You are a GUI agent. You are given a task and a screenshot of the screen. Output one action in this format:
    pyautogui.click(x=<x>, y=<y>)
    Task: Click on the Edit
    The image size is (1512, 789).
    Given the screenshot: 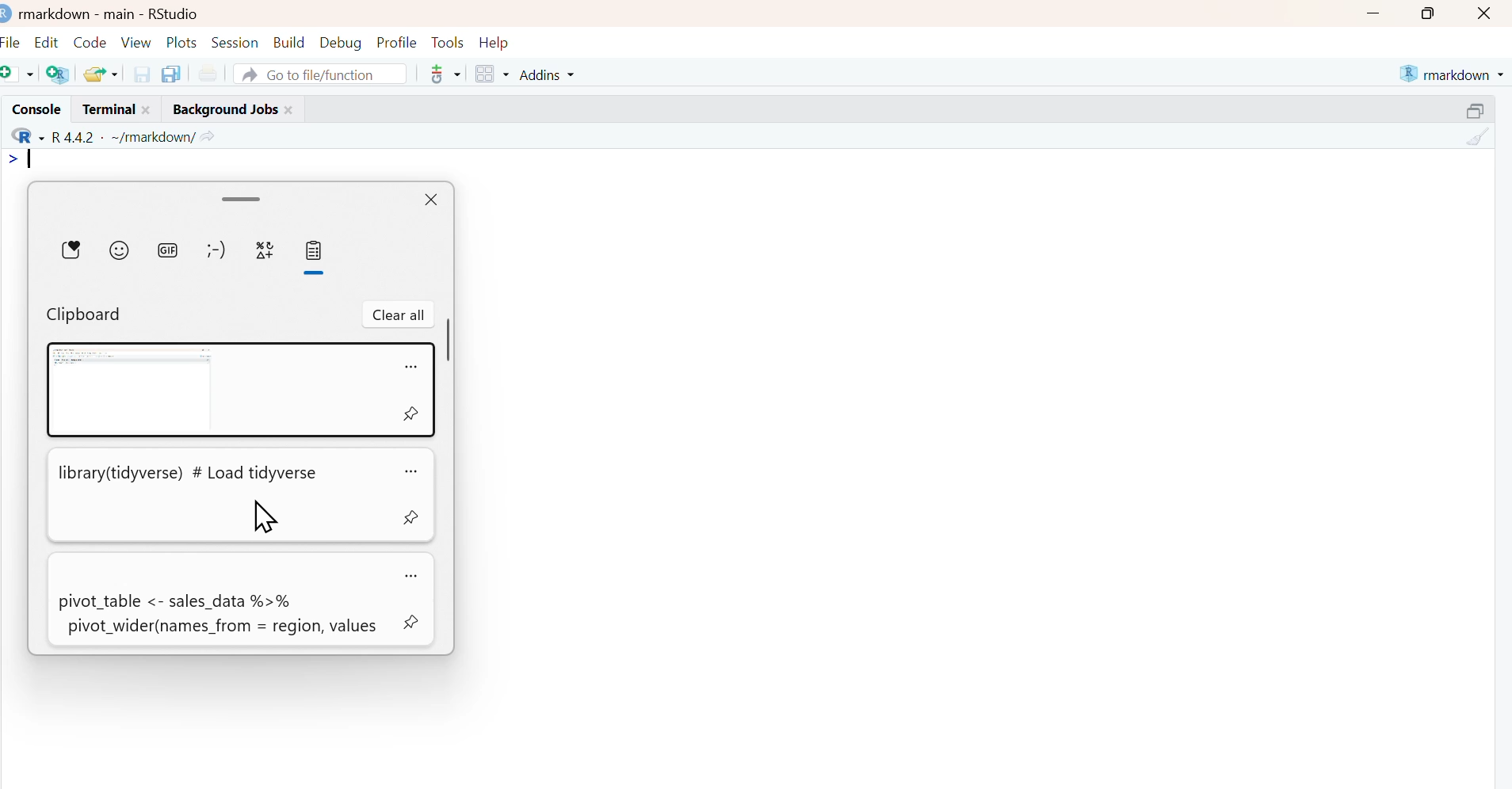 What is the action you would take?
    pyautogui.click(x=48, y=39)
    